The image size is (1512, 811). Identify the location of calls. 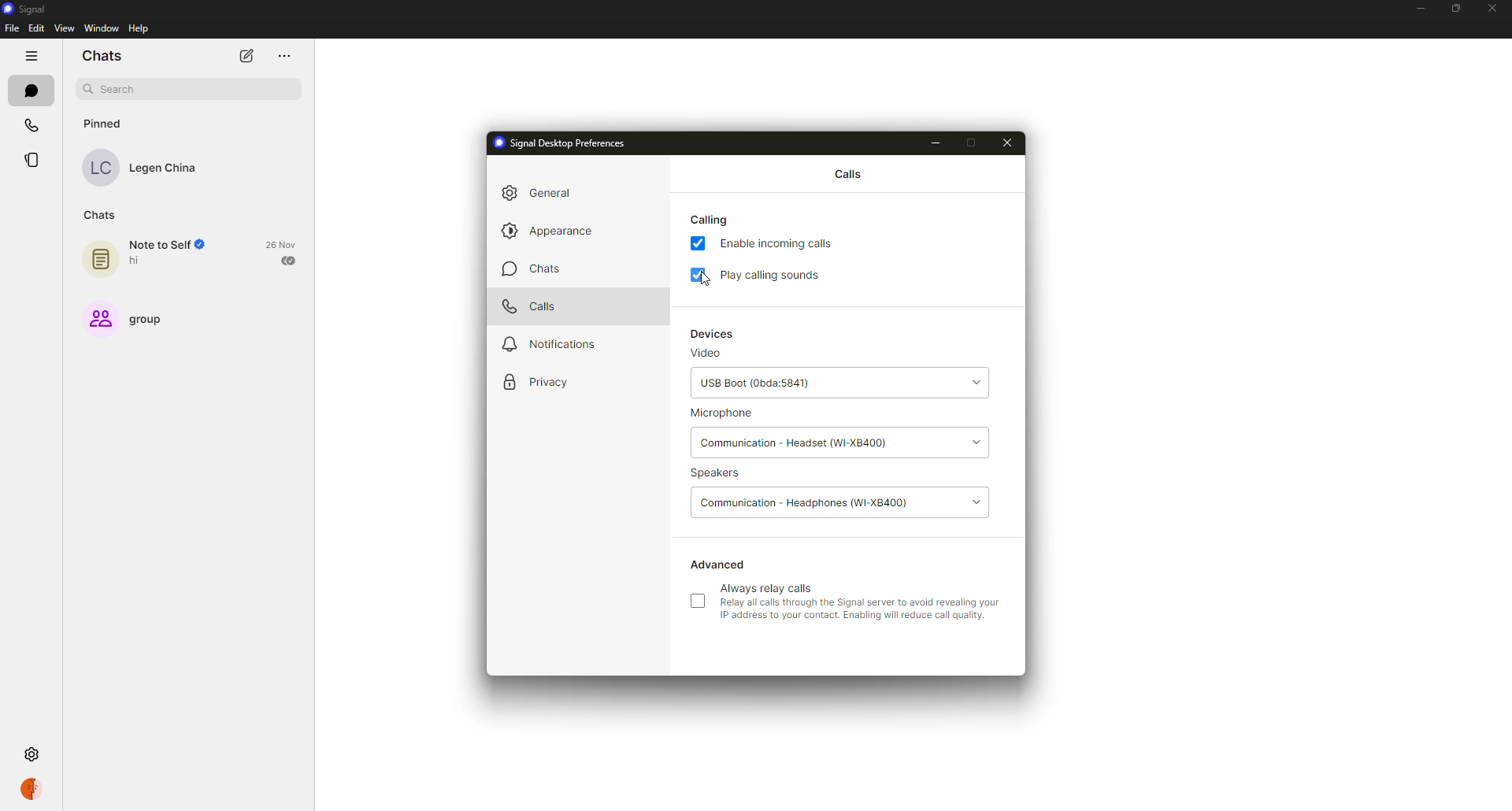
(33, 124).